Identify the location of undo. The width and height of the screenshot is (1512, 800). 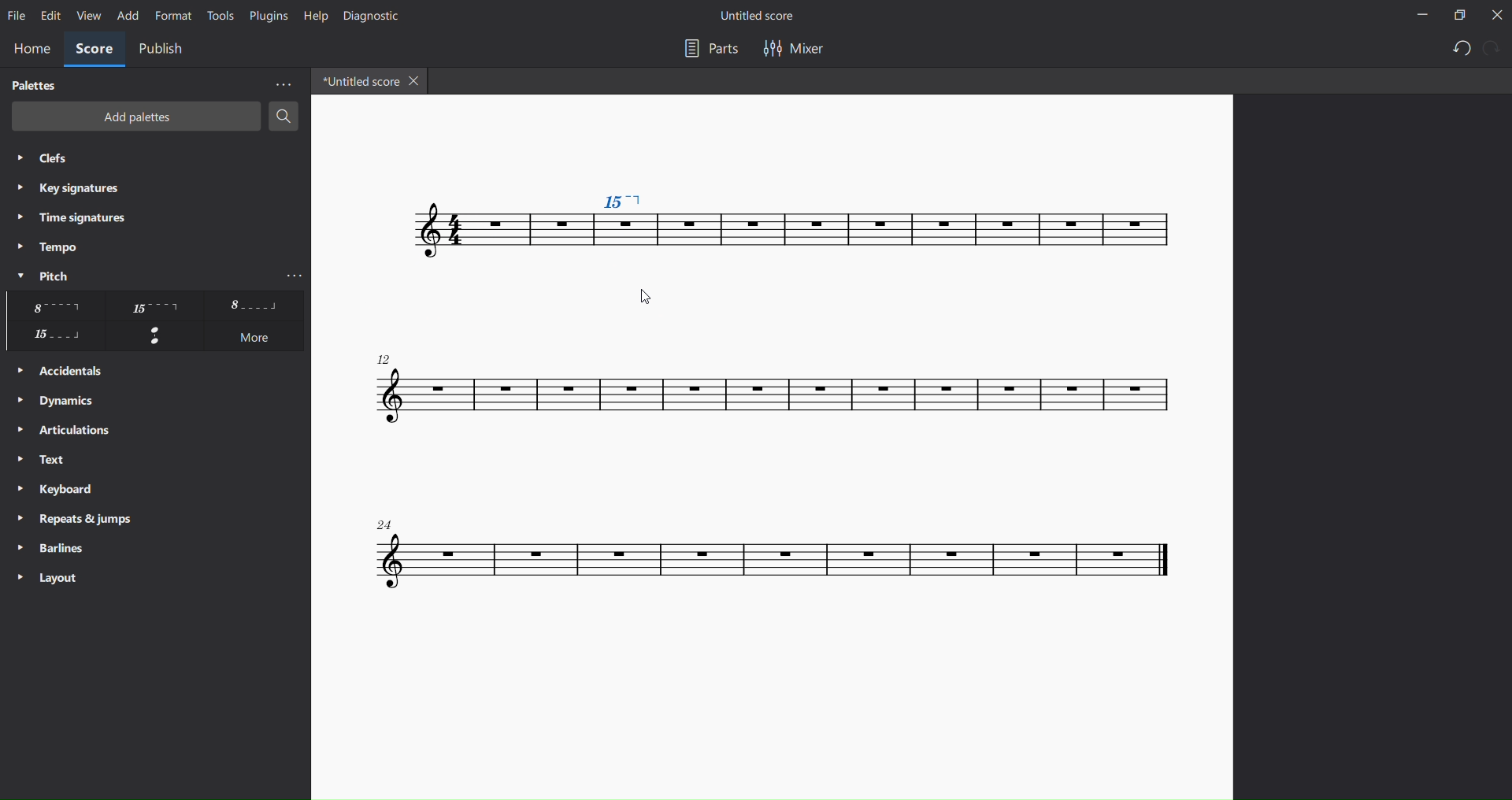
(1459, 49).